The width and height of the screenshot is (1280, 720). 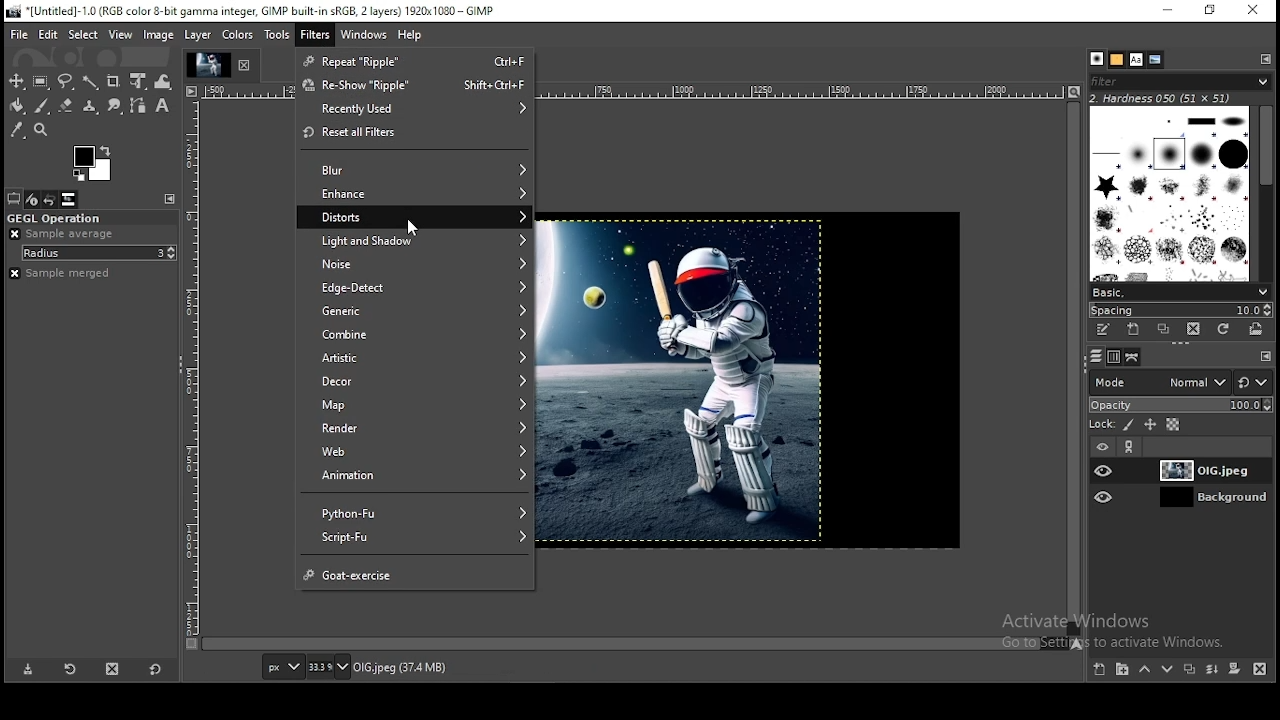 What do you see at coordinates (1223, 328) in the screenshot?
I see `refresh brushes` at bounding box center [1223, 328].